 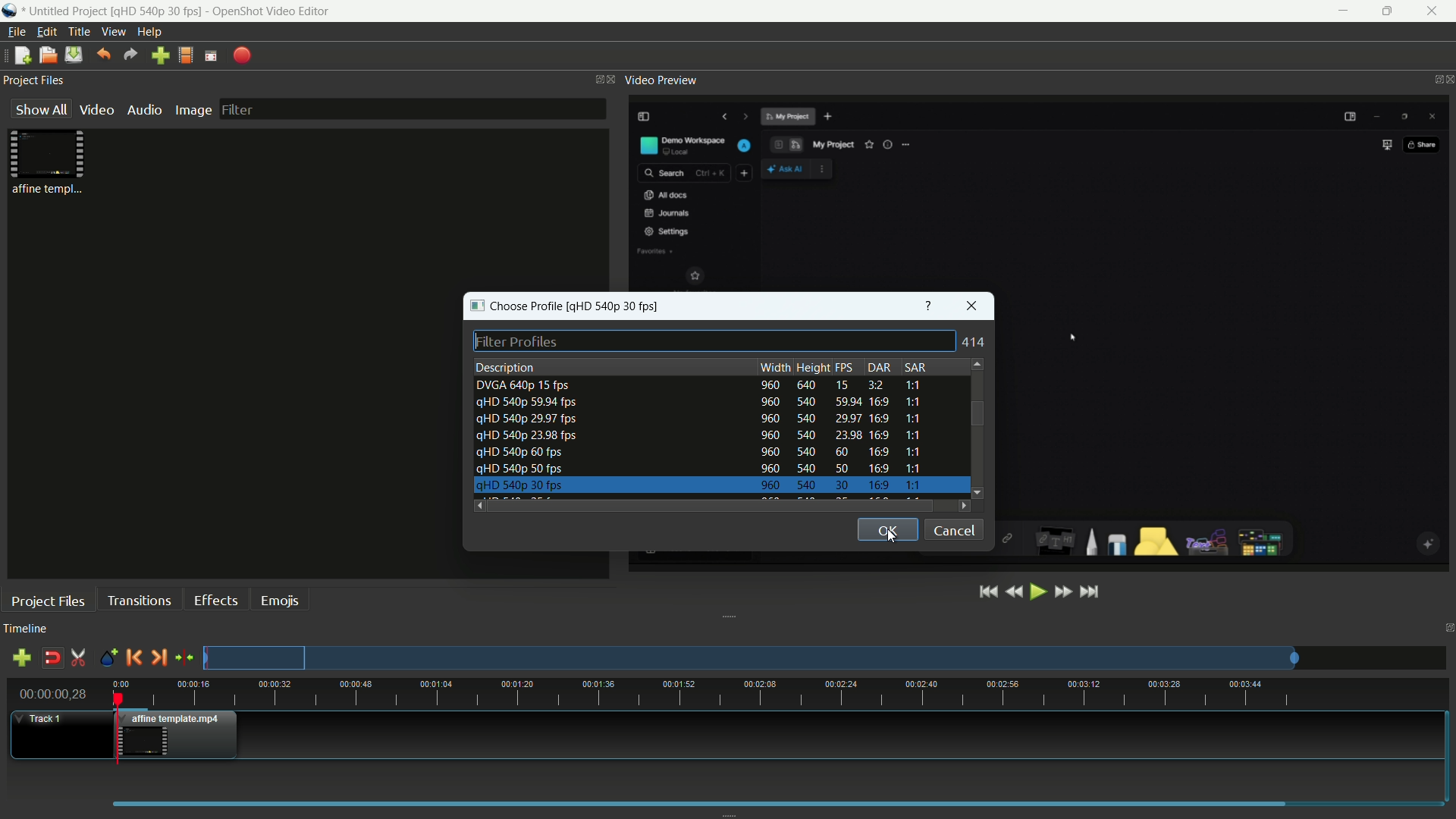 I want to click on profile-3, so click(x=698, y=420).